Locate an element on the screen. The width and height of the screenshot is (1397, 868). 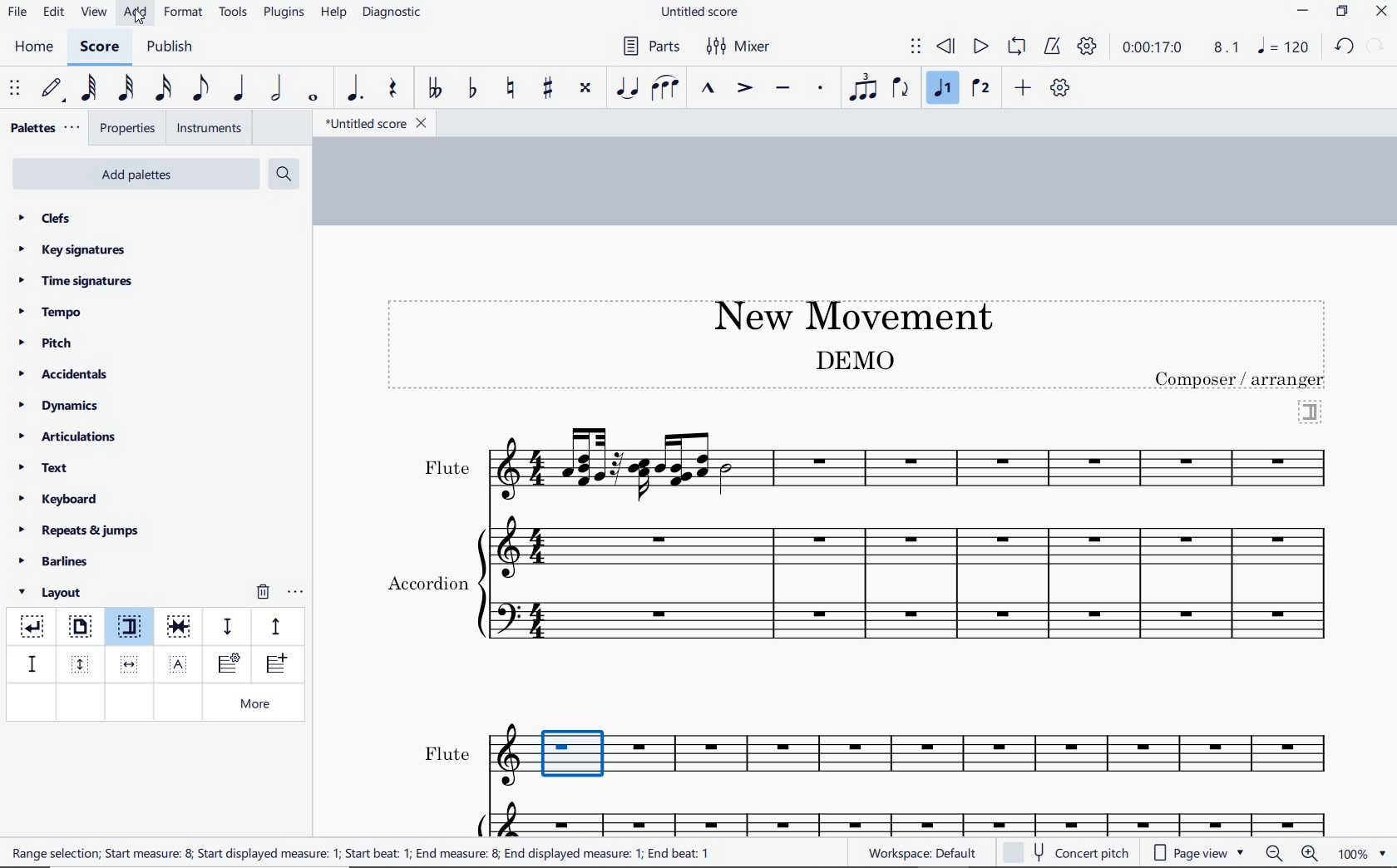
concert pitch is located at coordinates (1068, 851).